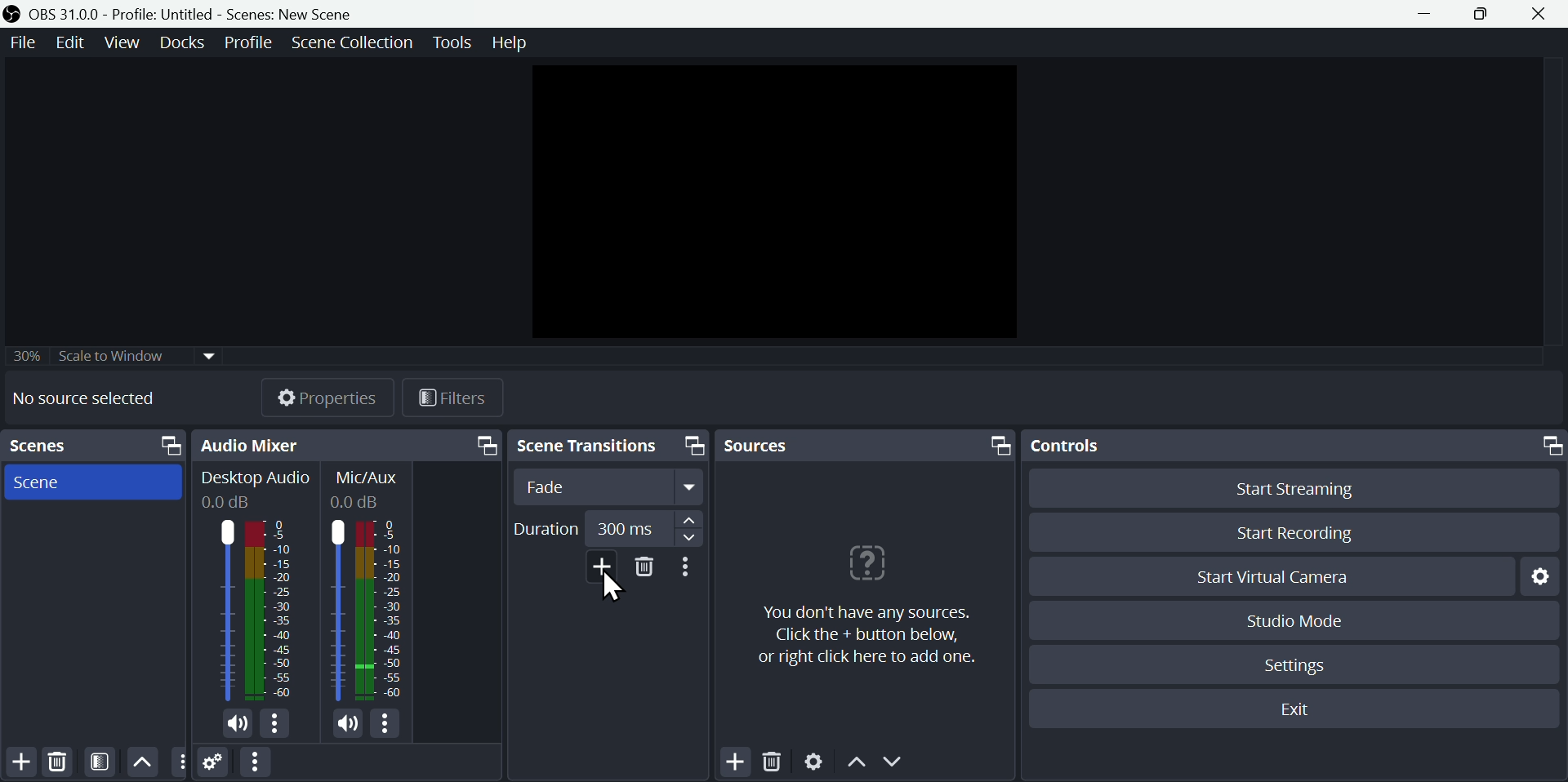  What do you see at coordinates (250, 40) in the screenshot?
I see `` at bounding box center [250, 40].